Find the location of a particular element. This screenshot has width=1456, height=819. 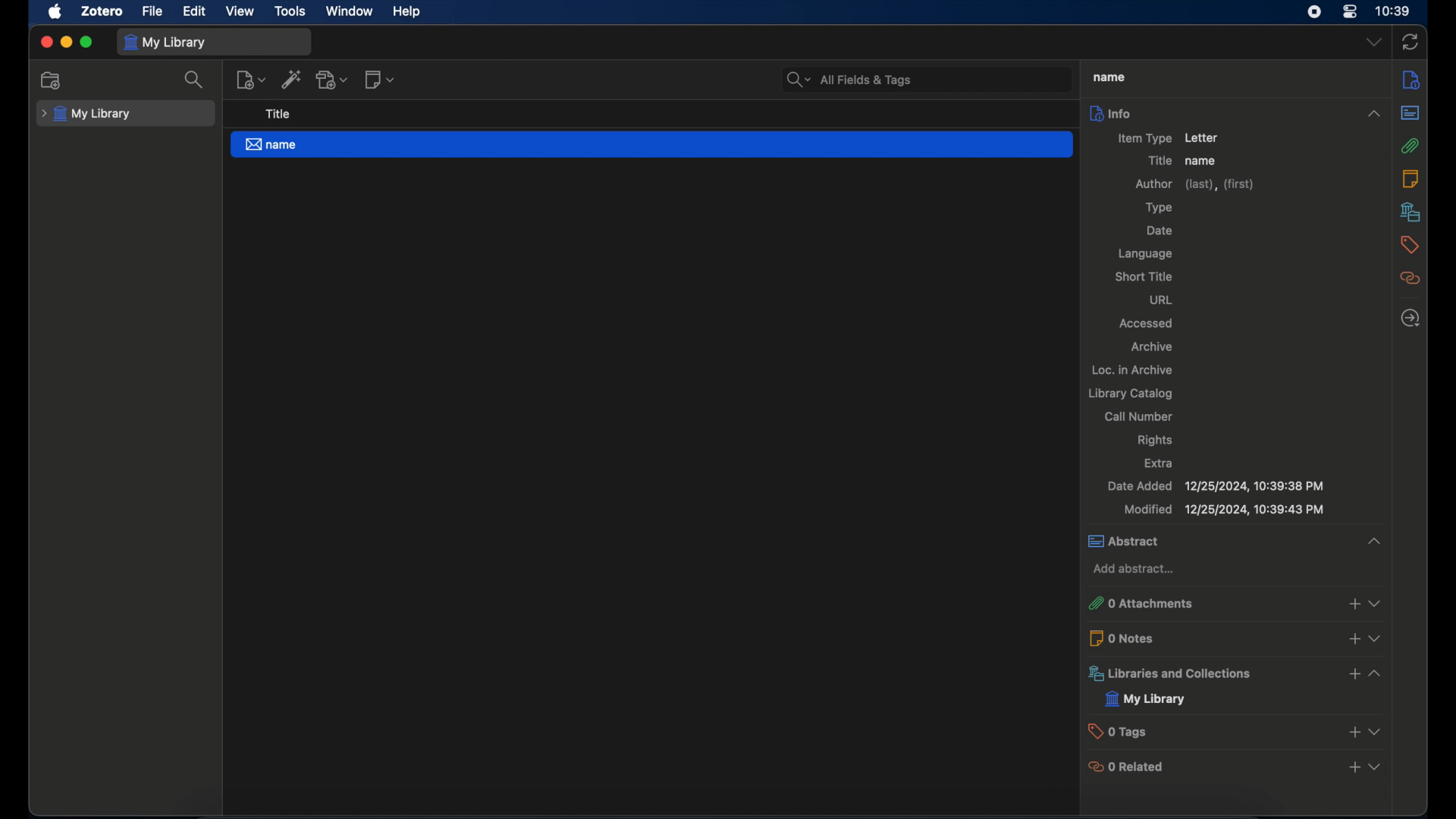

rights is located at coordinates (1156, 441).